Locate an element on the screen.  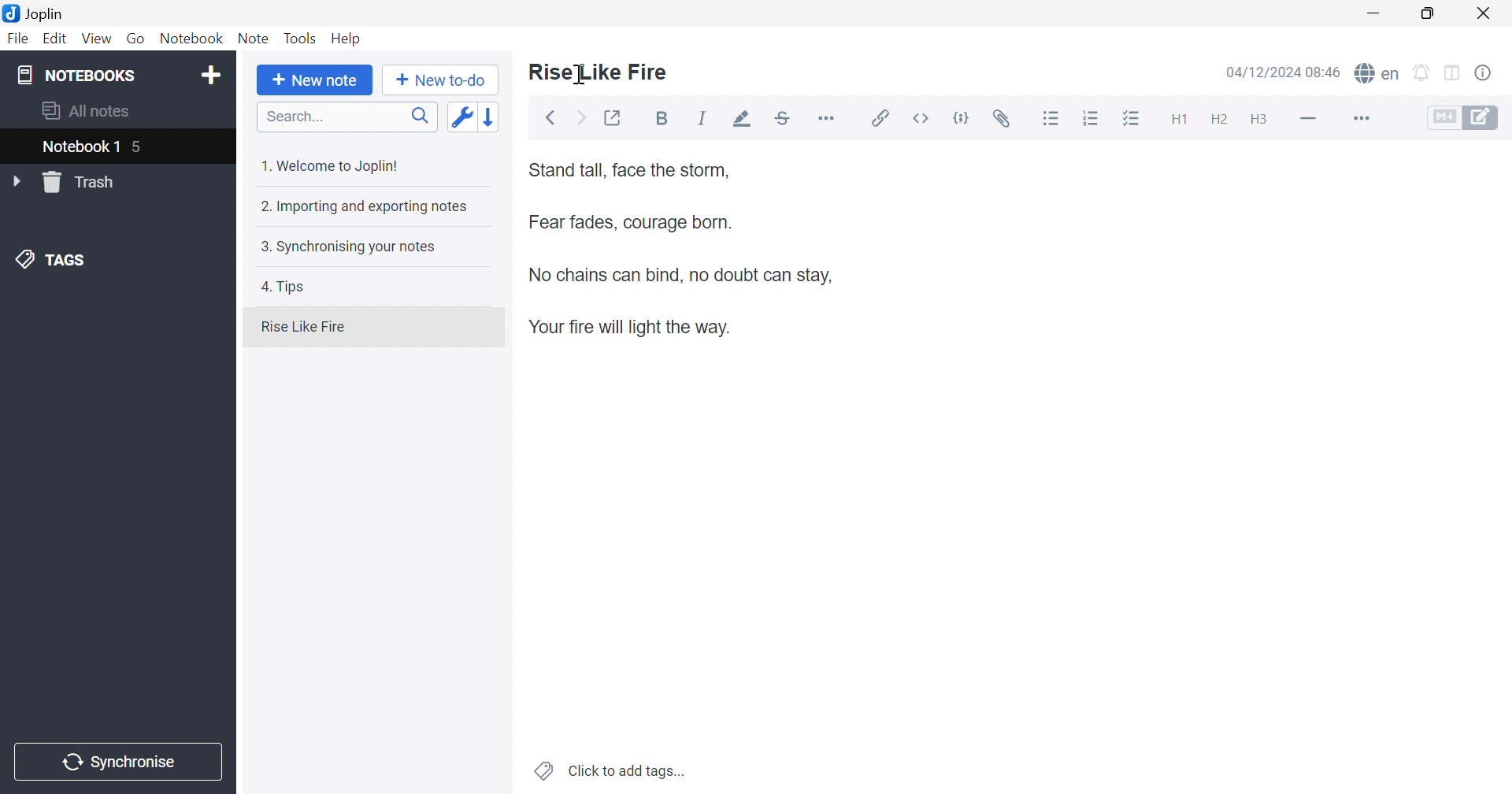
Restore Down is located at coordinates (1431, 14).